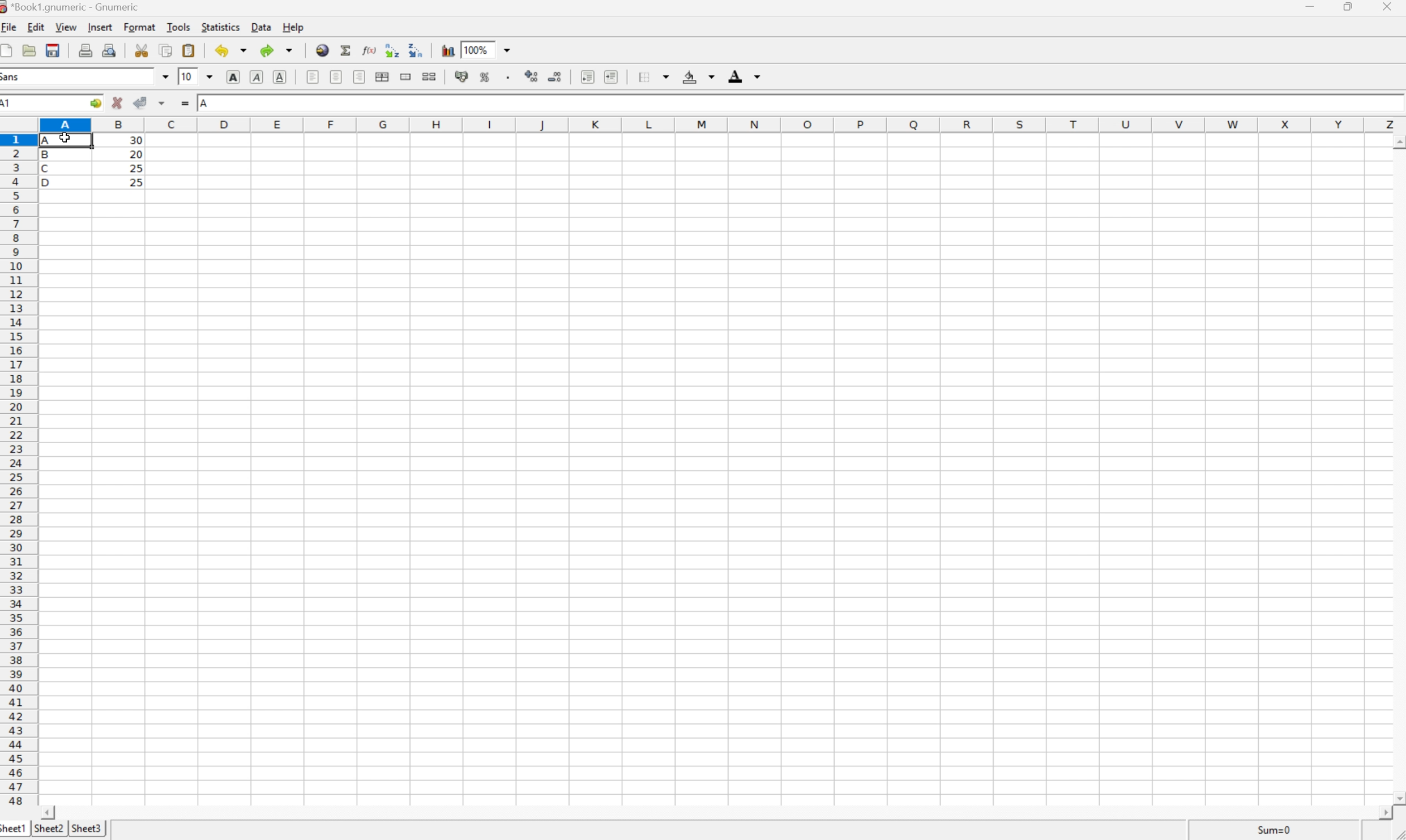 This screenshot has width=1406, height=840. What do you see at coordinates (1272, 830) in the screenshot?
I see `Sum = 0` at bounding box center [1272, 830].